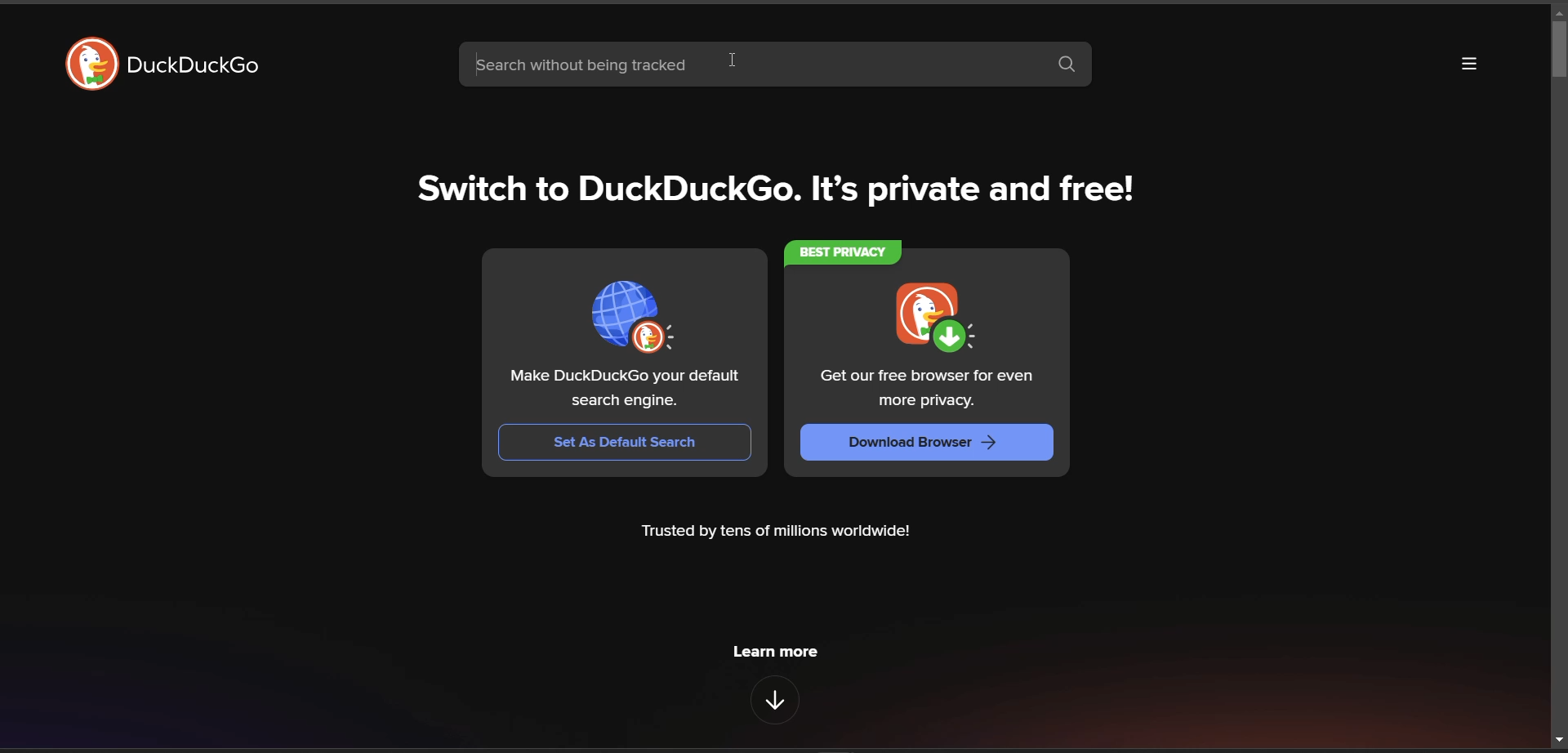  Describe the element at coordinates (195, 65) in the screenshot. I see `DuckDuckGo` at that location.